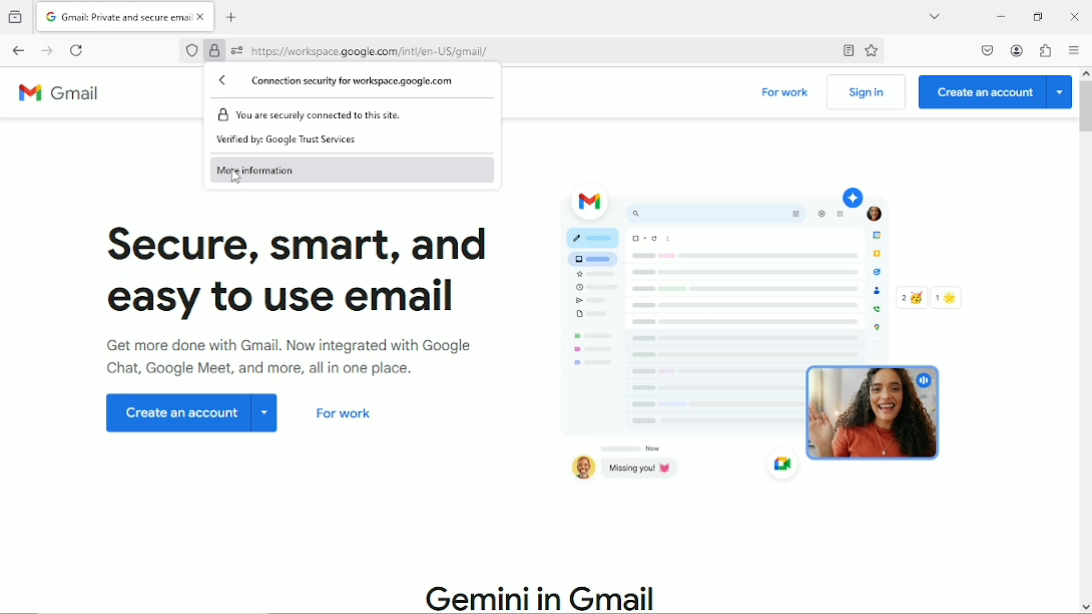 Image resolution: width=1092 pixels, height=614 pixels. Describe the element at coordinates (61, 92) in the screenshot. I see `Gmail` at that location.